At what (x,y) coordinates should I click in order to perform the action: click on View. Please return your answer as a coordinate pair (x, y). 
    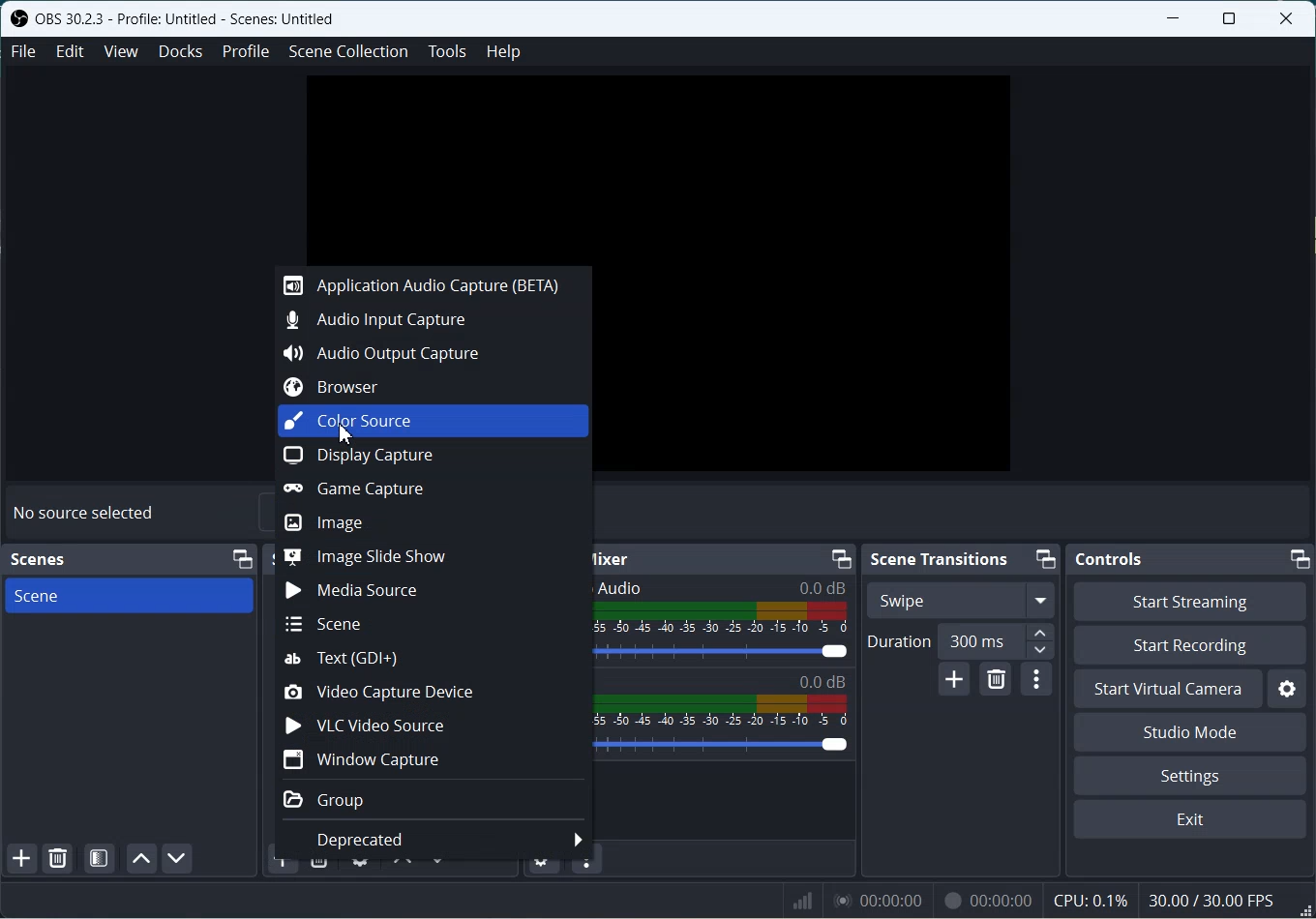
    Looking at the image, I should click on (121, 50).